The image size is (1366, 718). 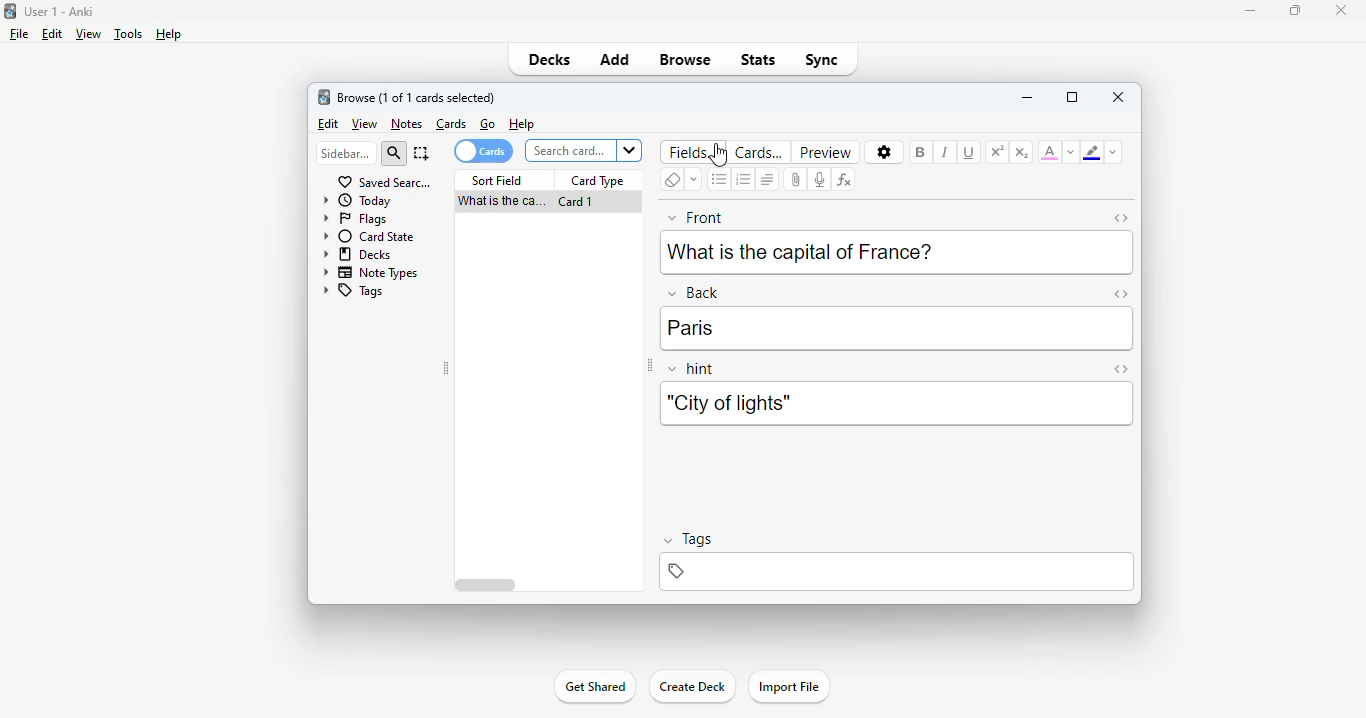 I want to click on change color, so click(x=1113, y=152).